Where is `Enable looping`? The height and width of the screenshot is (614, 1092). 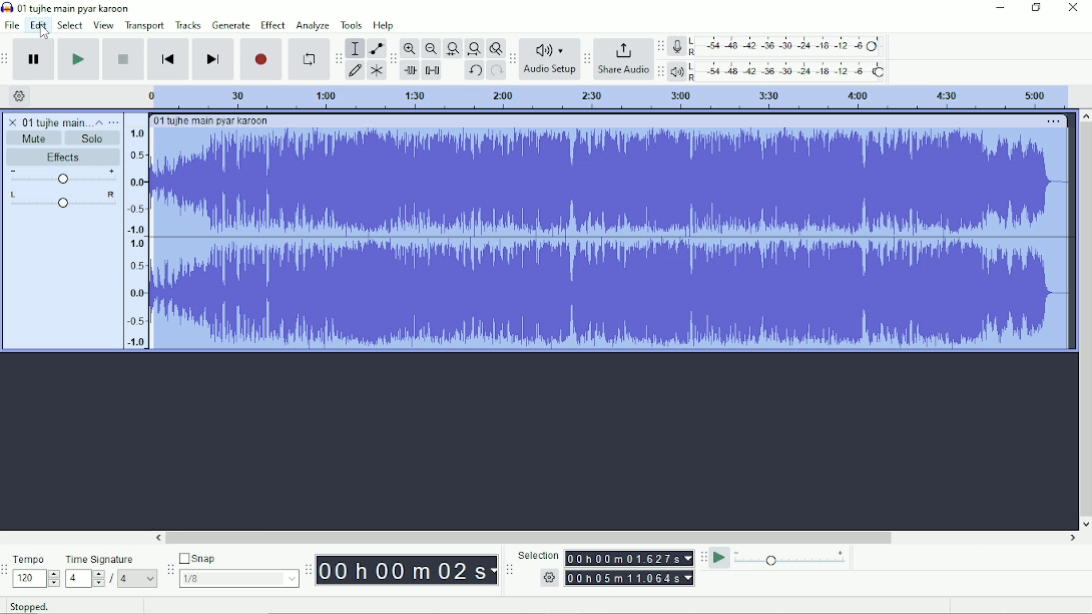
Enable looping is located at coordinates (309, 59).